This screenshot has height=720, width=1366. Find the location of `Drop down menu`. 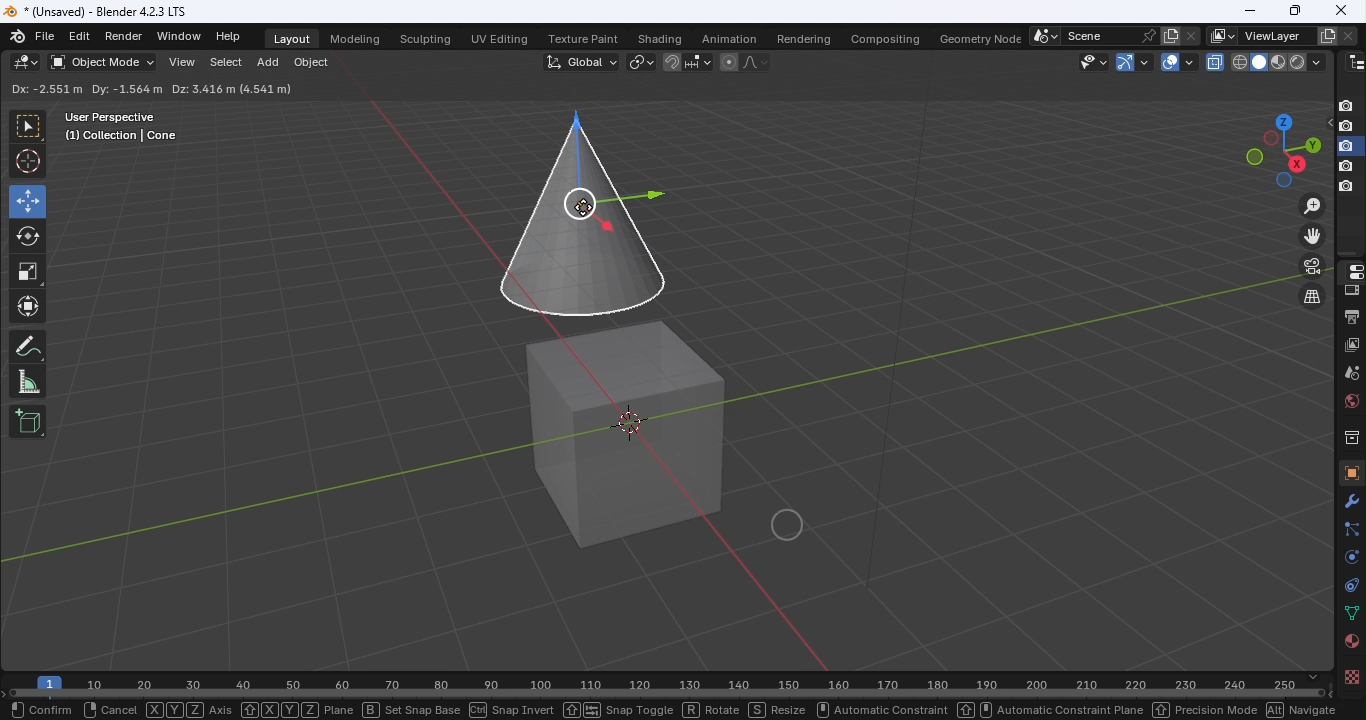

Drop down menu is located at coordinates (1295, 88).